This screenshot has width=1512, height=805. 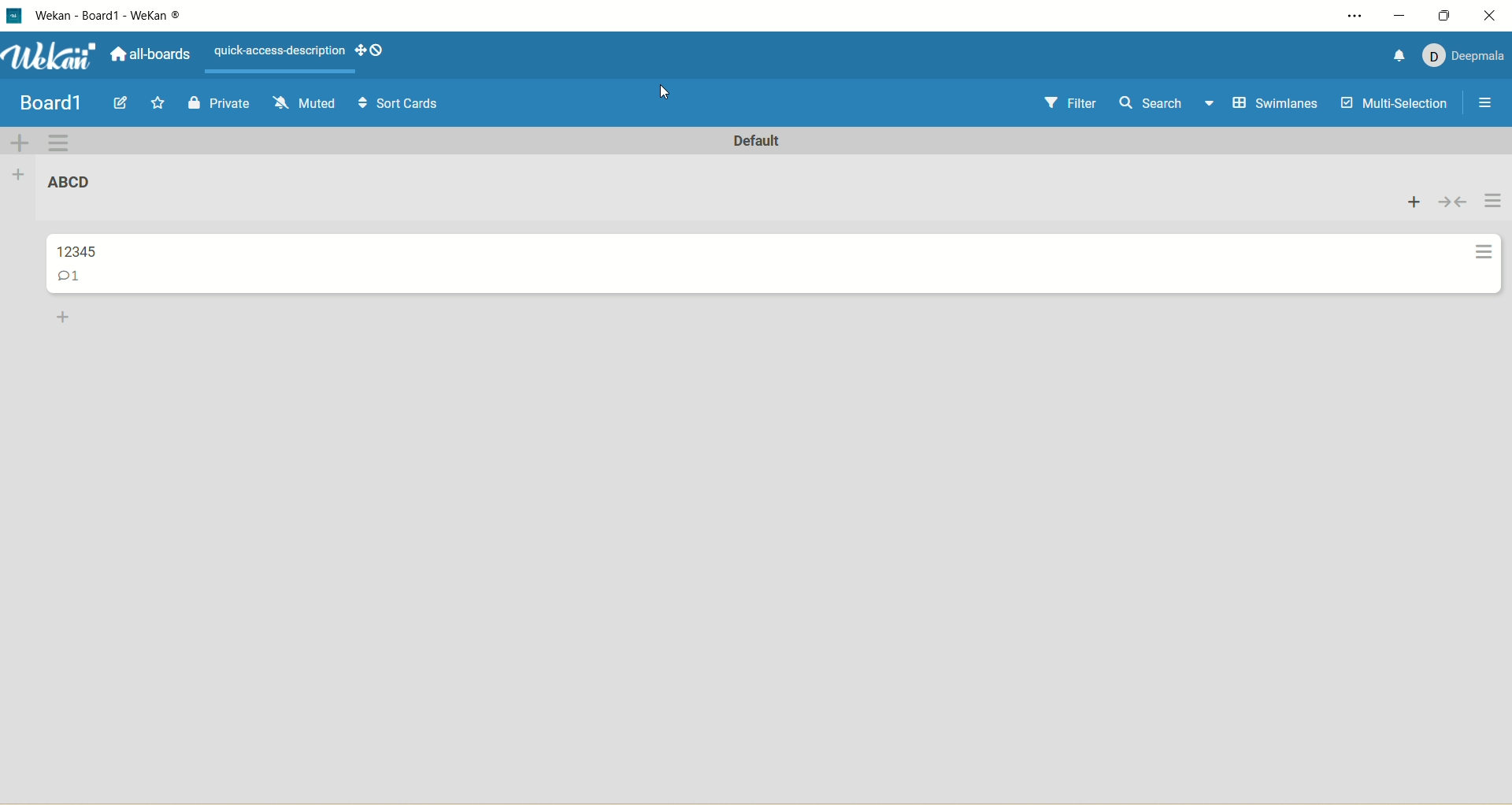 I want to click on show-desktop-drag-handles, so click(x=380, y=50).